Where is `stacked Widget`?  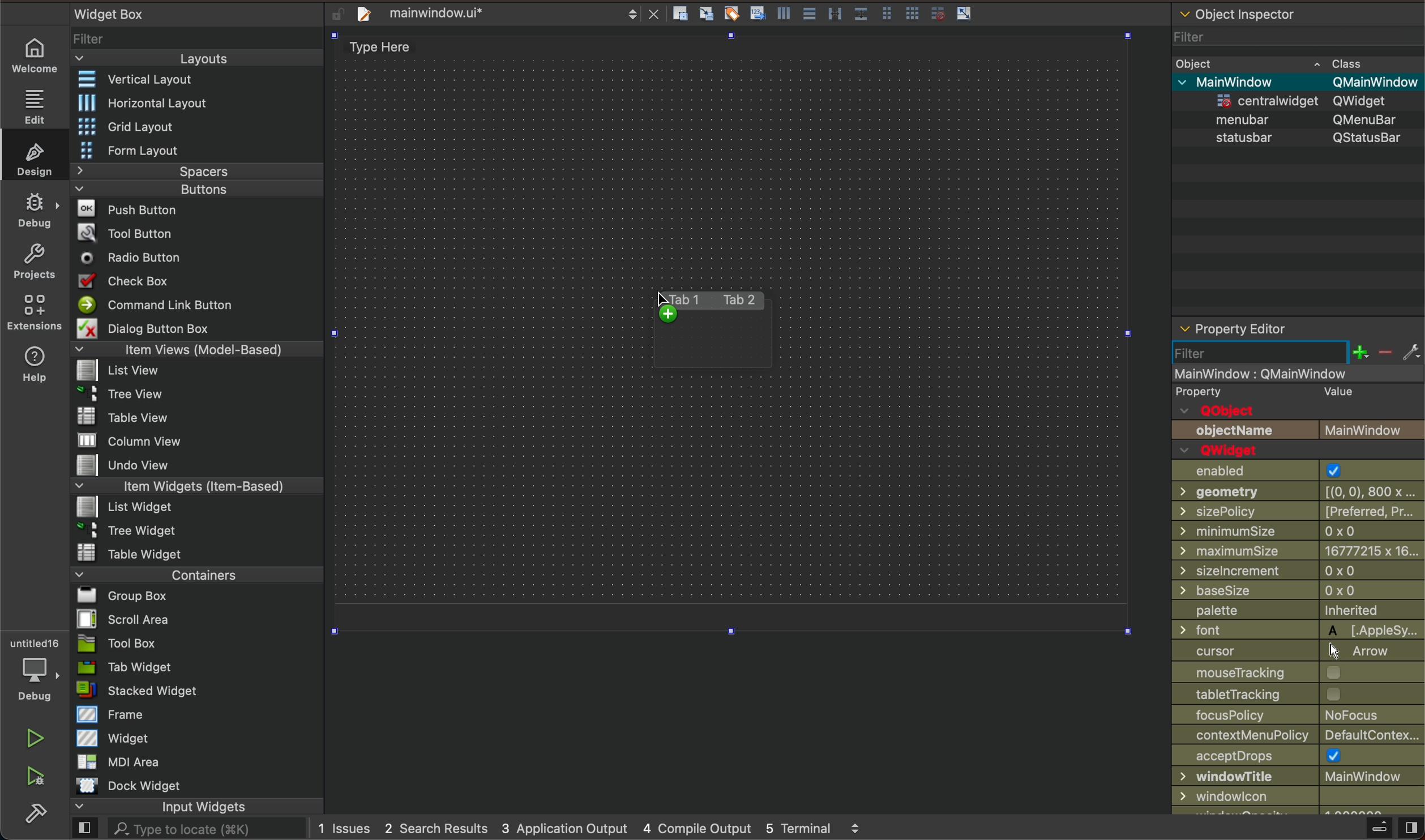 stacked Widget is located at coordinates (140, 690).